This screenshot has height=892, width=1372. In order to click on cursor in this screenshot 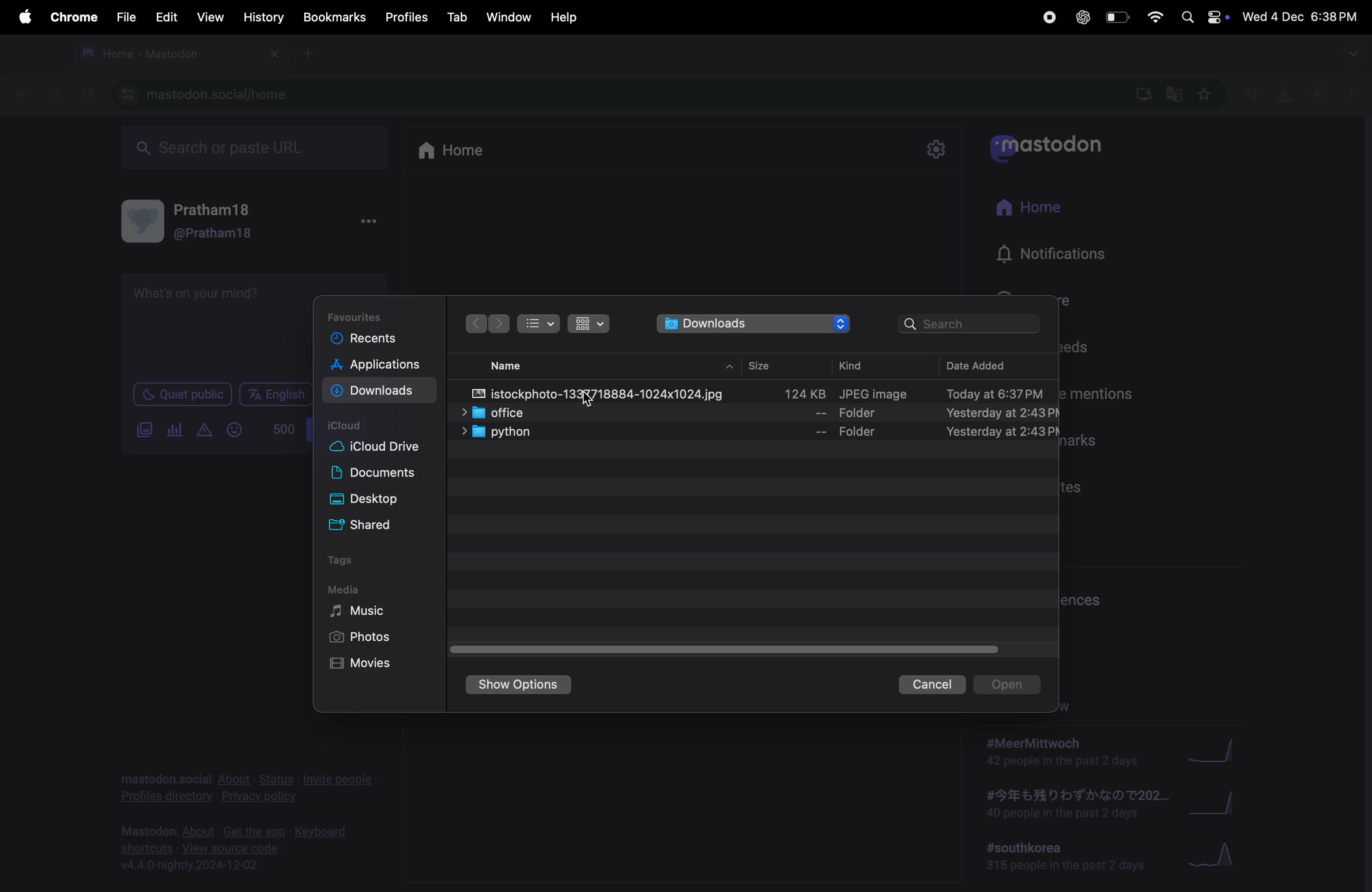, I will do `click(591, 403)`.